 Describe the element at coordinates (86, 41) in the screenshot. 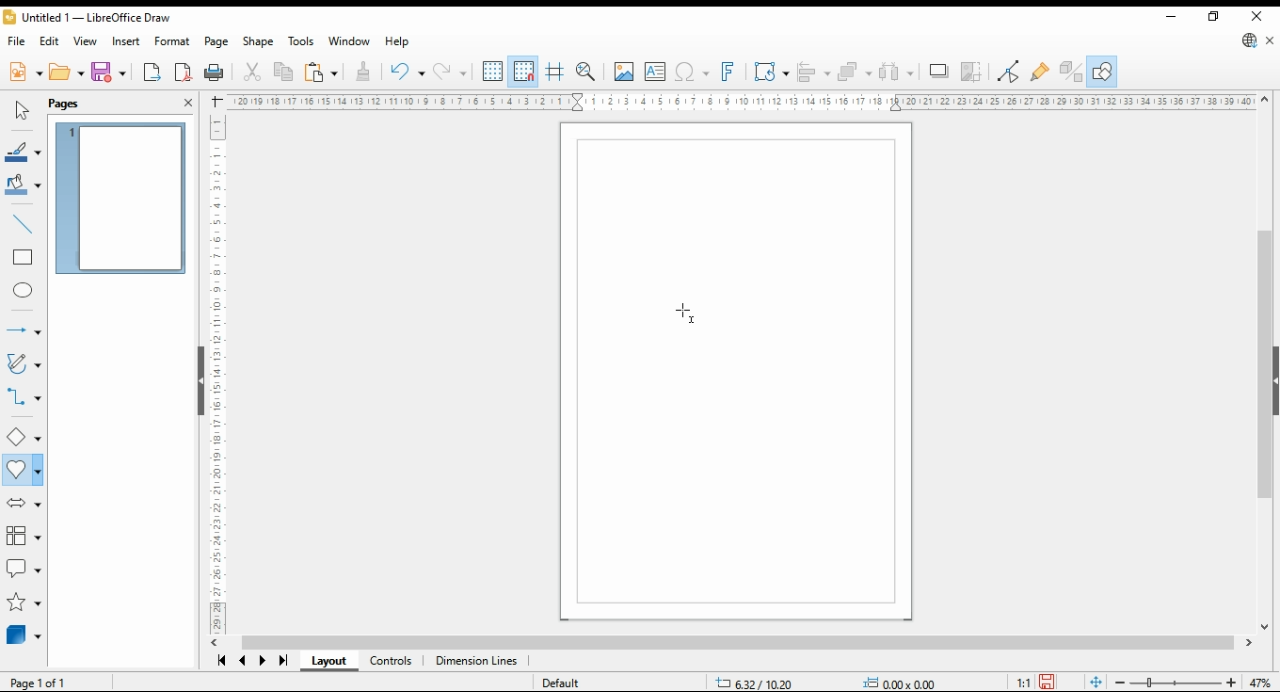

I see `view` at that location.